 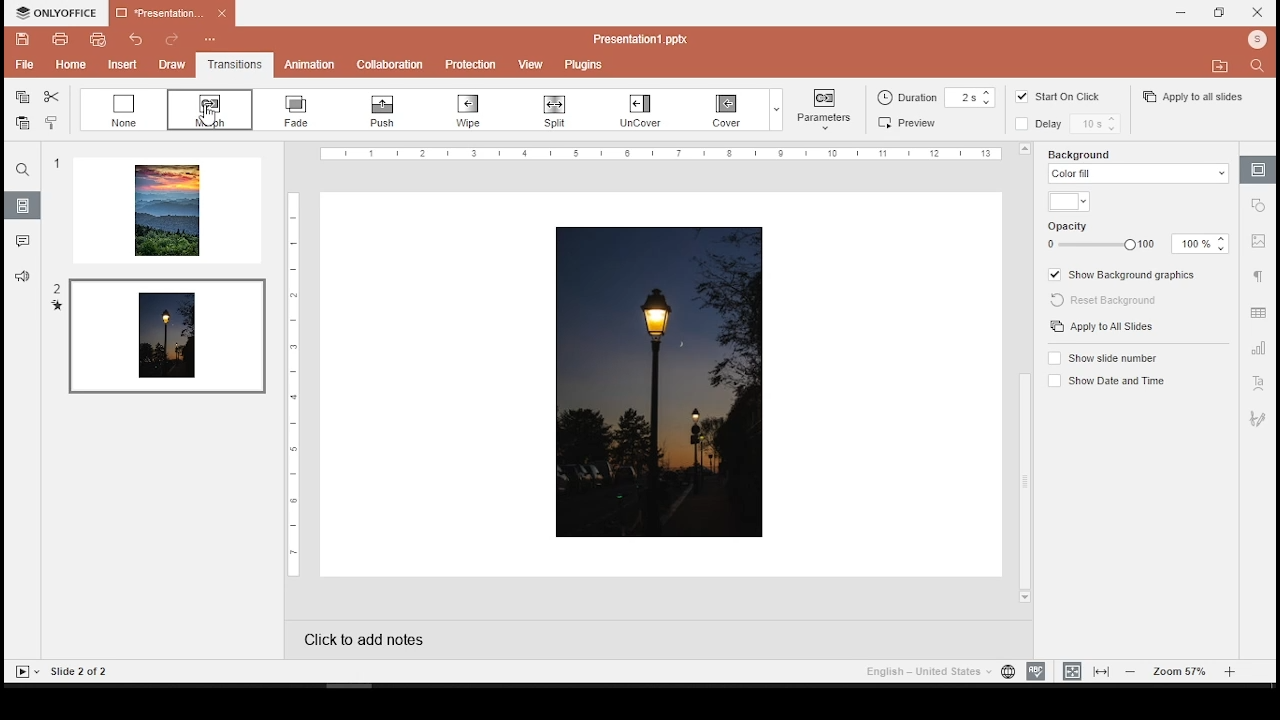 I want to click on font size, so click(x=300, y=109).